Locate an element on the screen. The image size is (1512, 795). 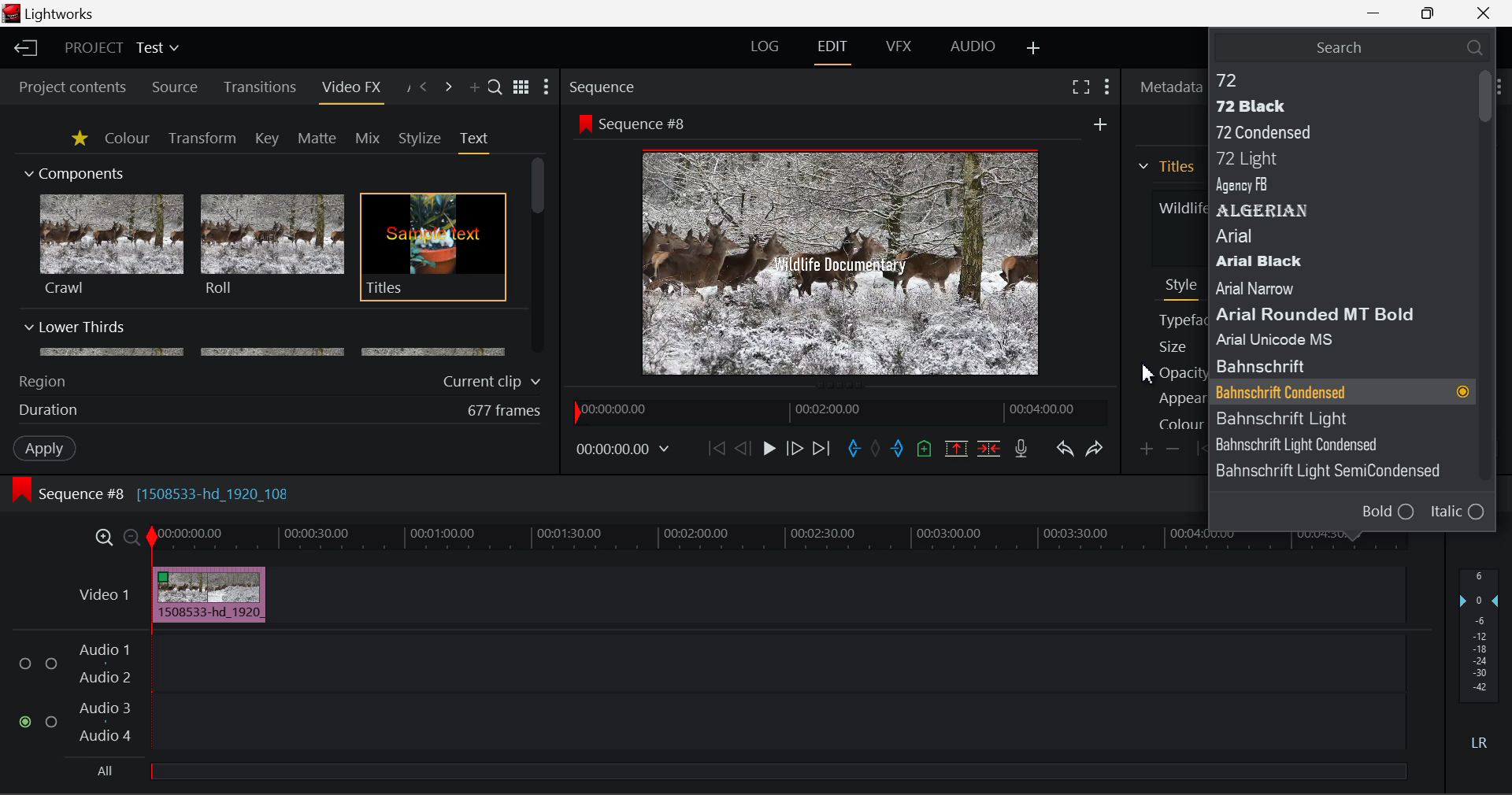
Search Typeface is located at coordinates (1351, 46).